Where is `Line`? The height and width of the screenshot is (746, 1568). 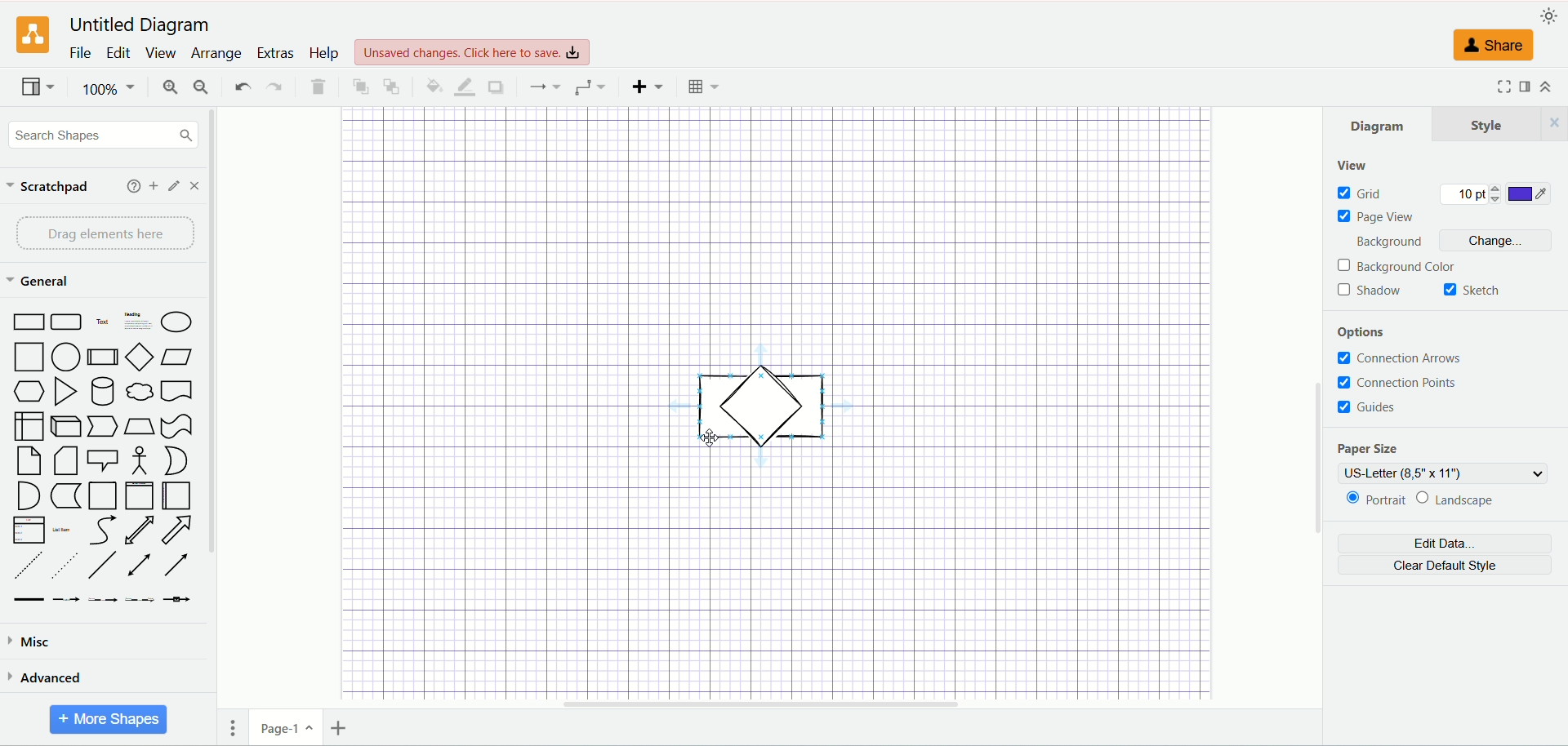
Line is located at coordinates (104, 565).